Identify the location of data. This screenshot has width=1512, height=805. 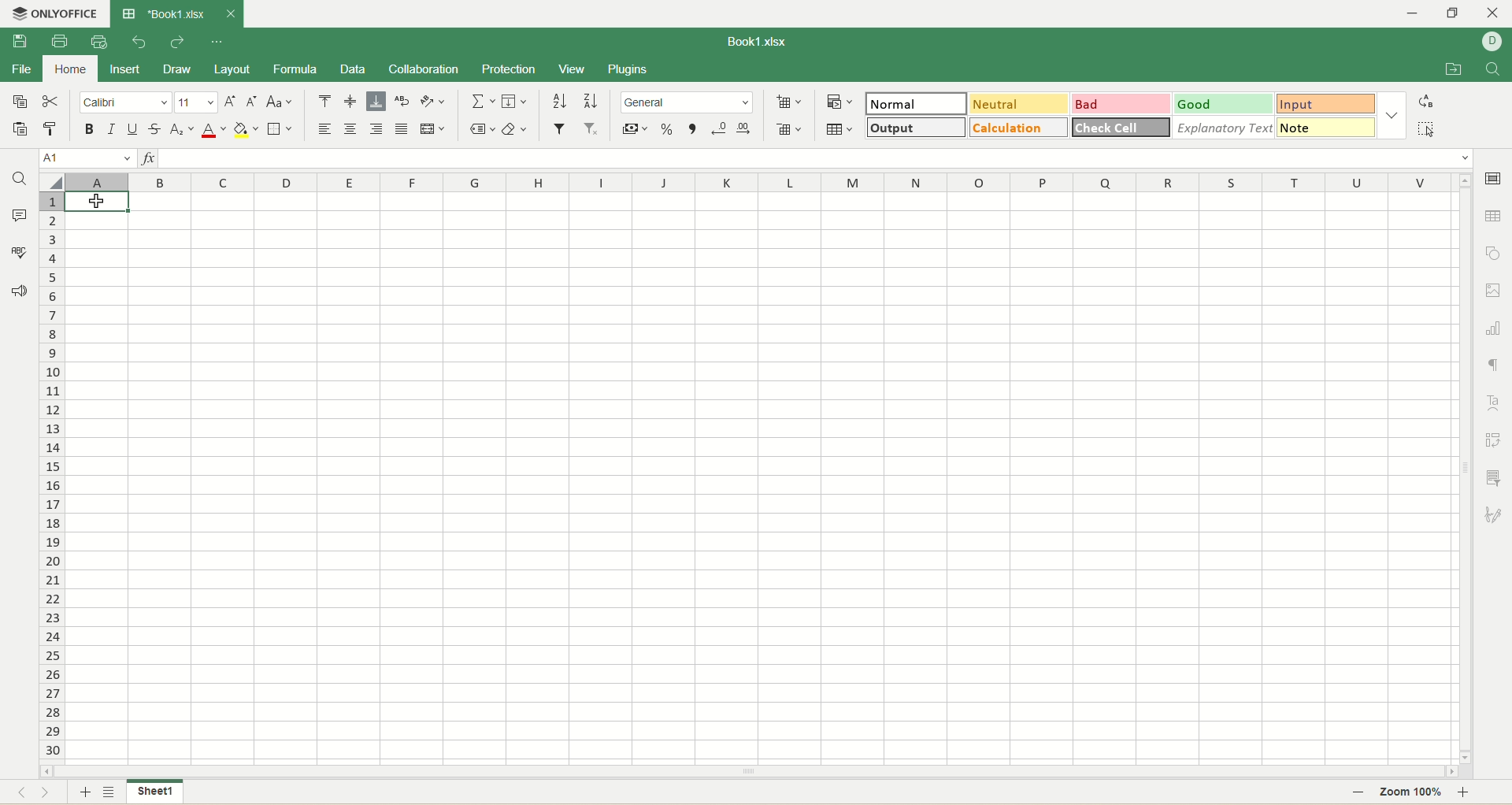
(351, 71).